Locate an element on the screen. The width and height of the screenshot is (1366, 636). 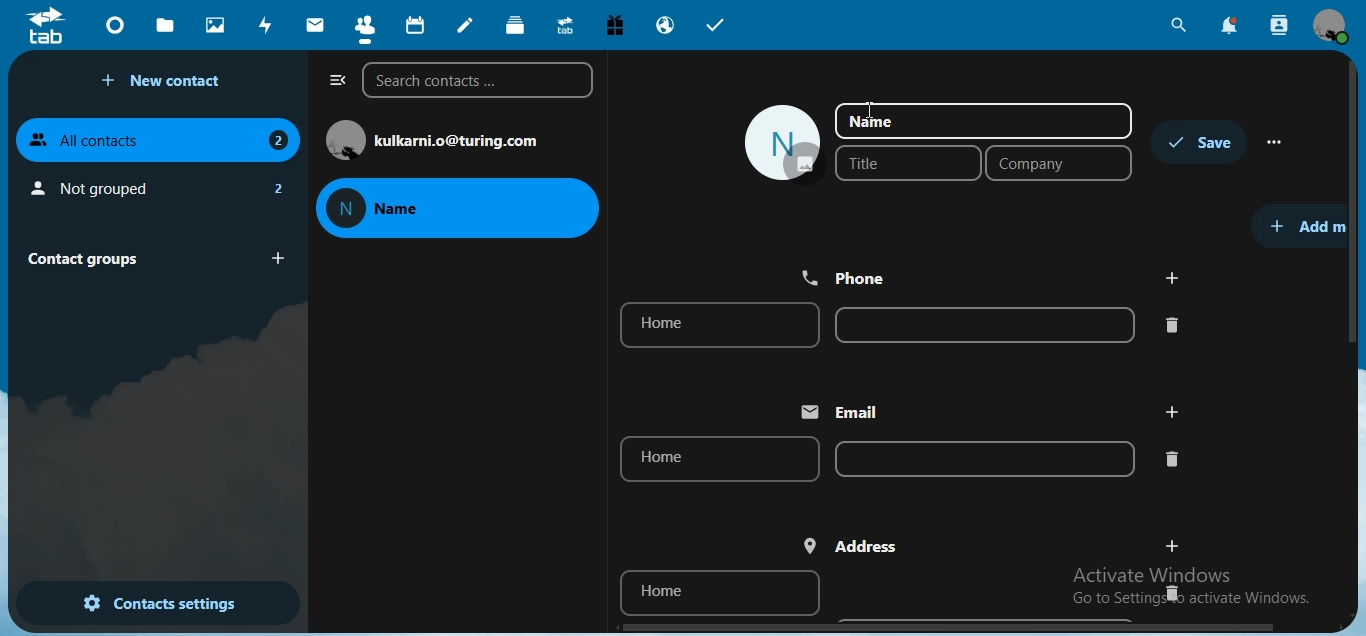
 is located at coordinates (988, 323).